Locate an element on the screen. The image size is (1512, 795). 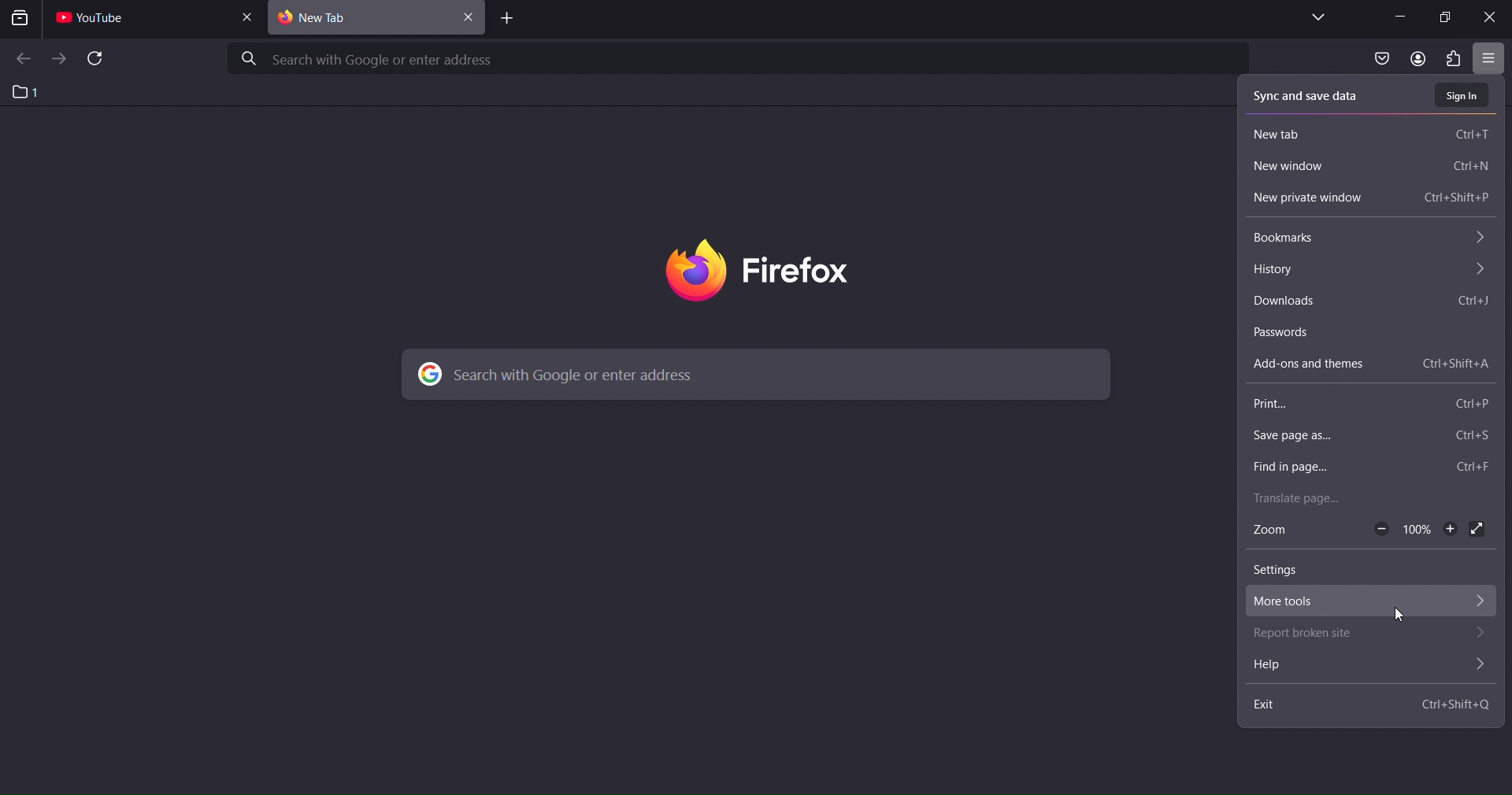
Ctrl+S is located at coordinates (1472, 438).